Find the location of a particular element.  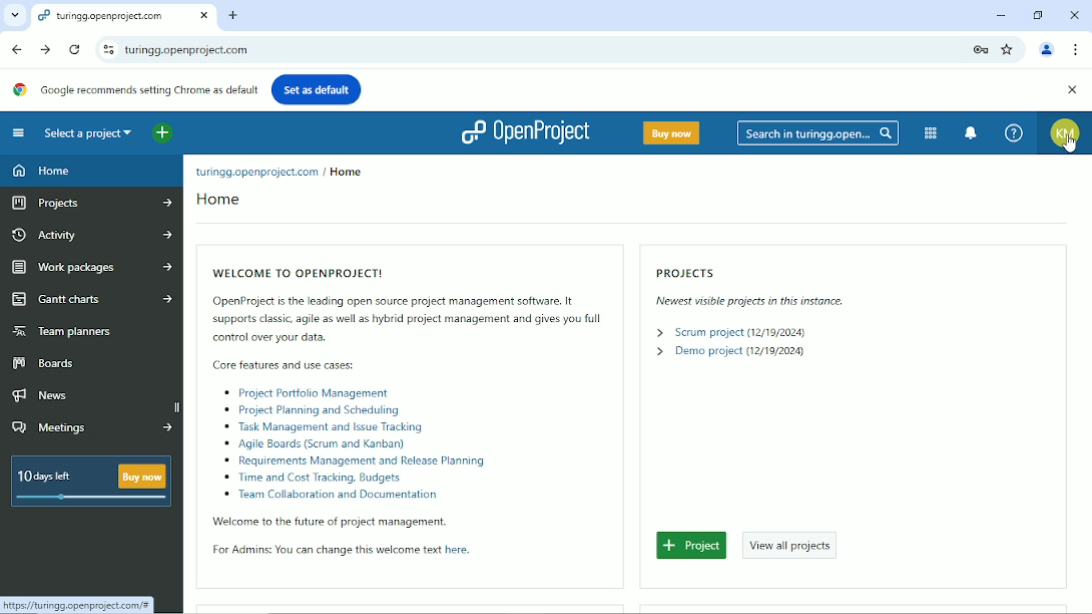

‘® Propect Planning and Scheduling is located at coordinates (316, 409).